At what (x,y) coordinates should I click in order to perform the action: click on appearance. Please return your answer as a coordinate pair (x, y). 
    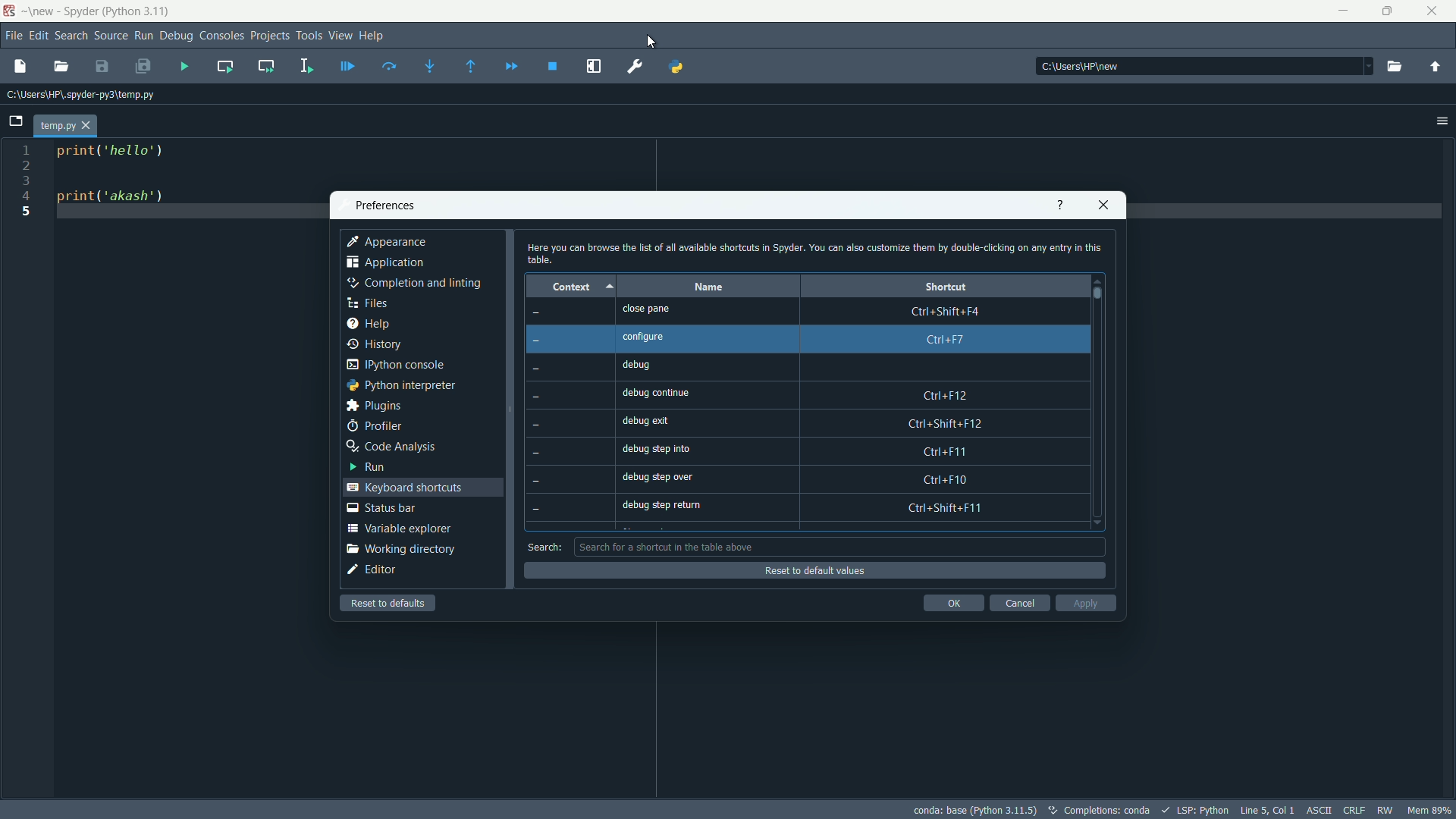
    Looking at the image, I should click on (388, 242).